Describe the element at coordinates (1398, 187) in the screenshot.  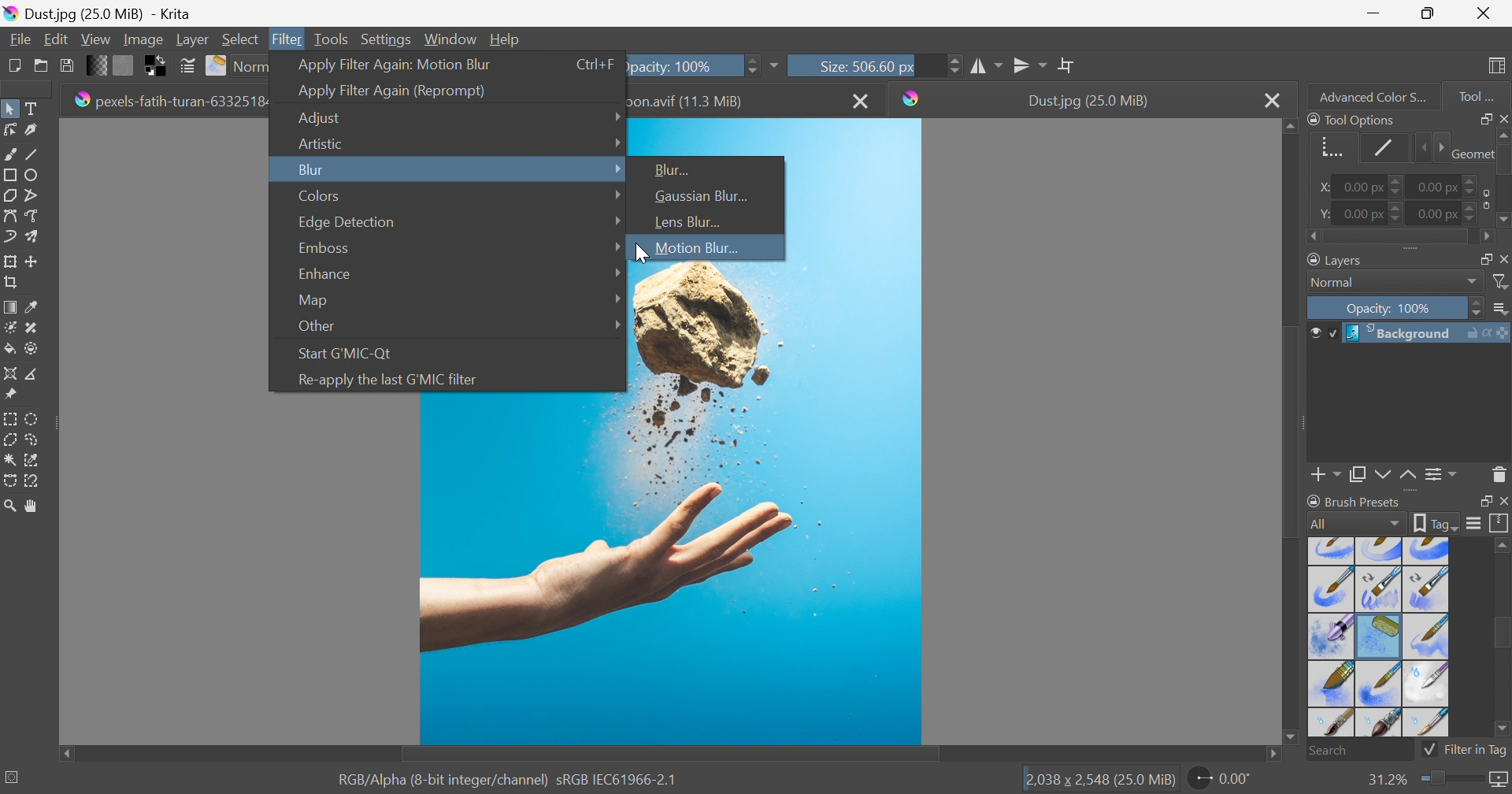
I see `Slider` at that location.